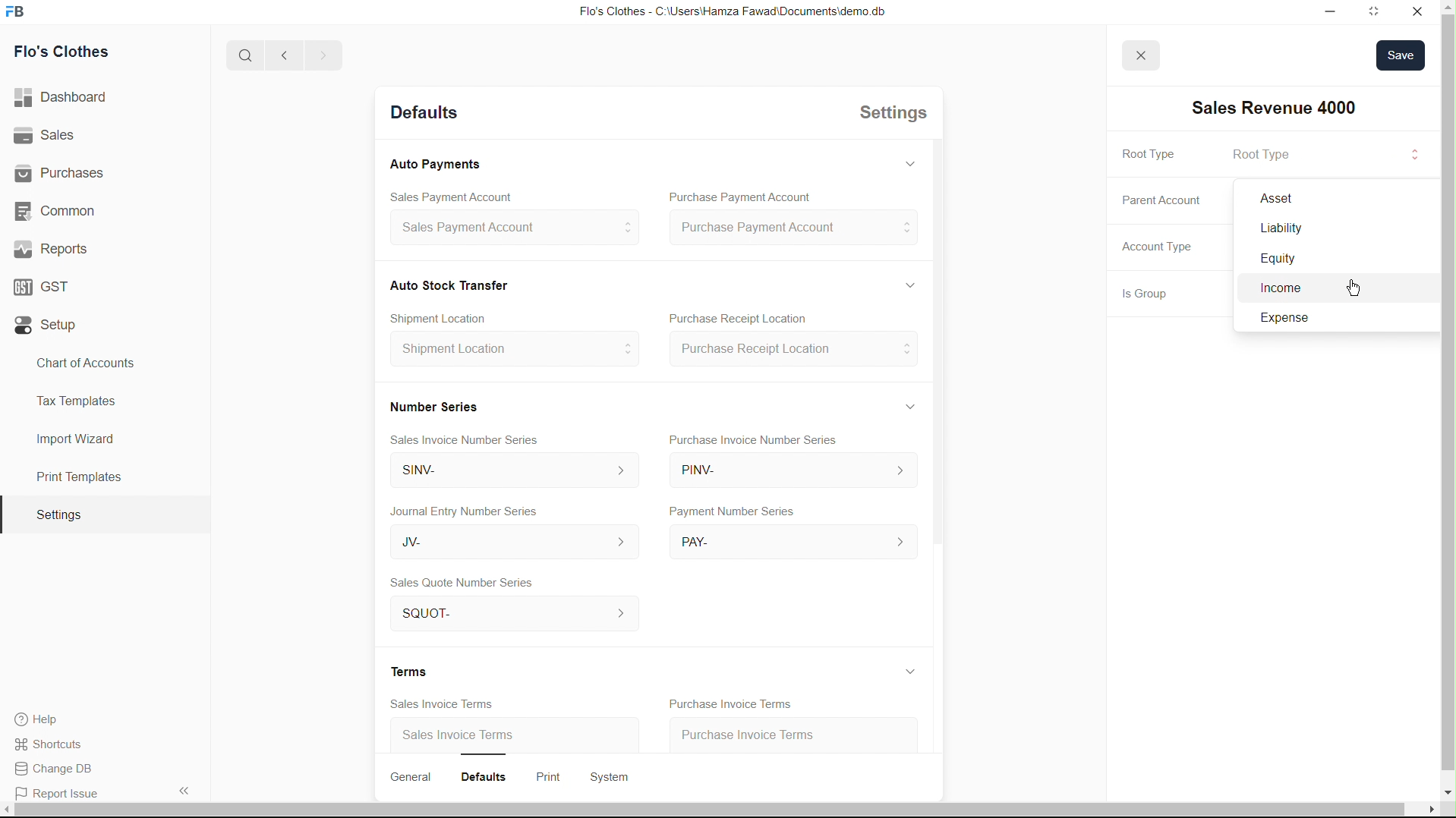 This screenshot has height=818, width=1456. I want to click on Back, so click(279, 56).